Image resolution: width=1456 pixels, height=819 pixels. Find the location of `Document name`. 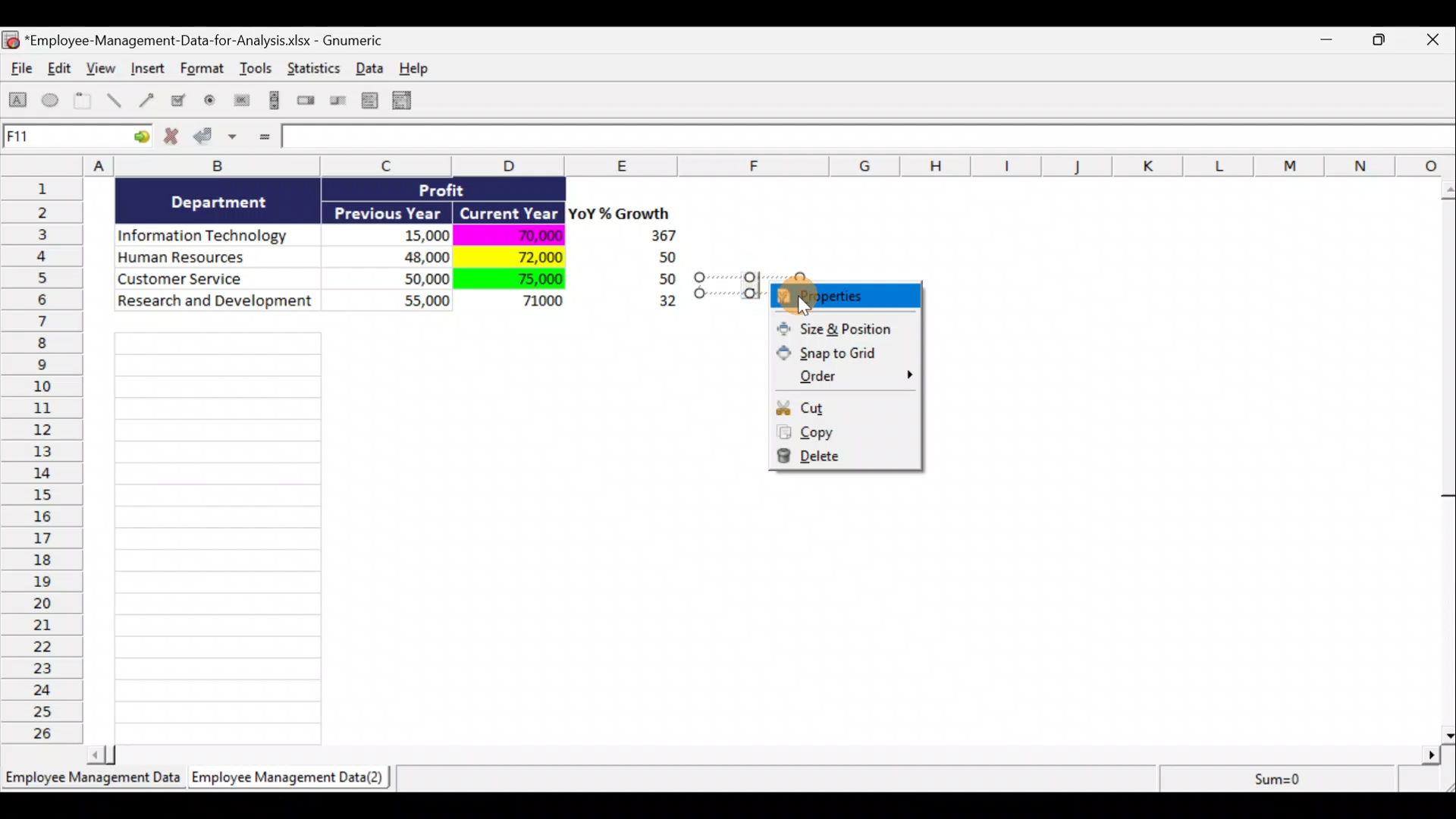

Document name is located at coordinates (201, 42).